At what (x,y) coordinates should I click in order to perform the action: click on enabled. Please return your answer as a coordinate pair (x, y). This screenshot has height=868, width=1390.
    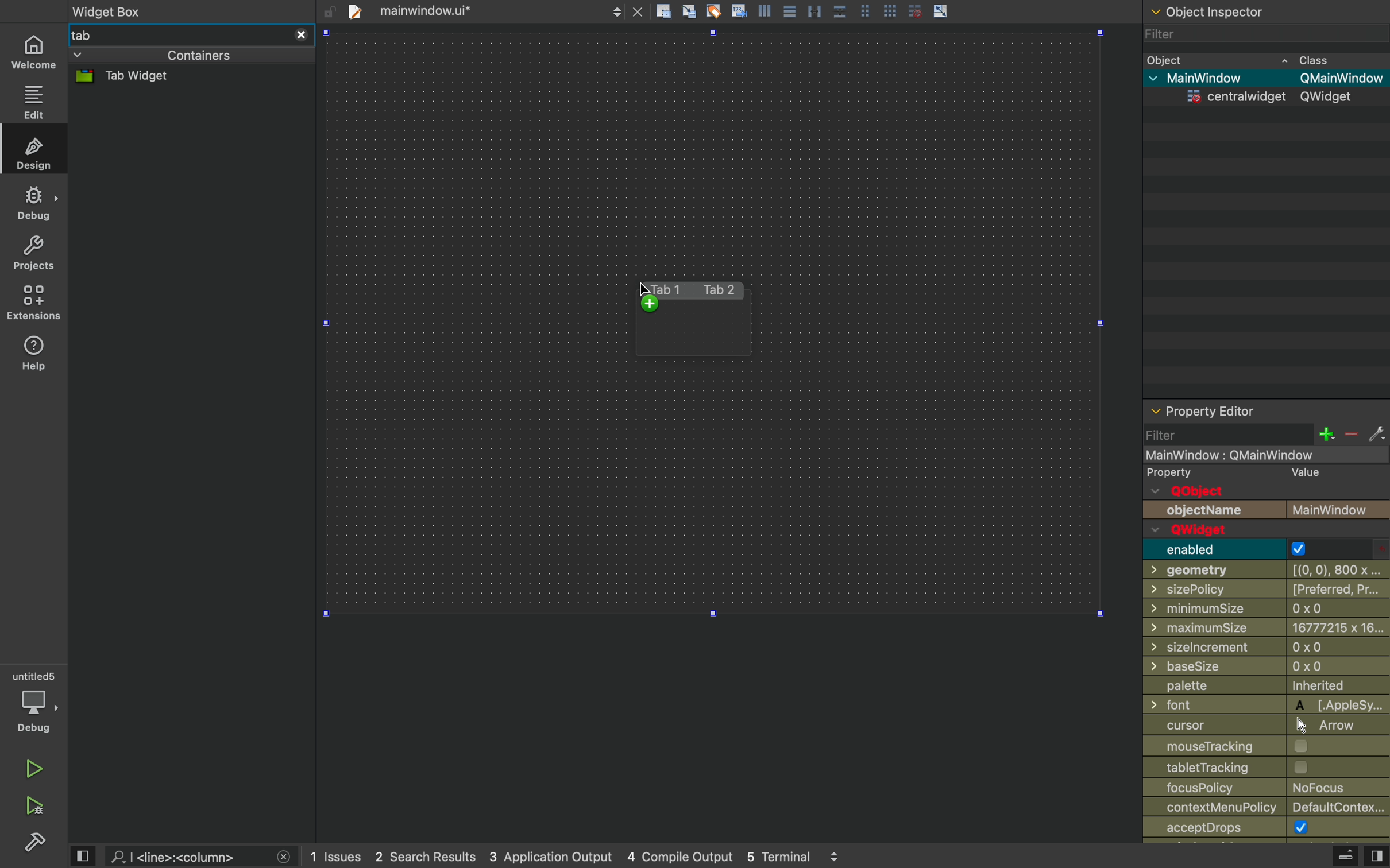
    Looking at the image, I should click on (1231, 549).